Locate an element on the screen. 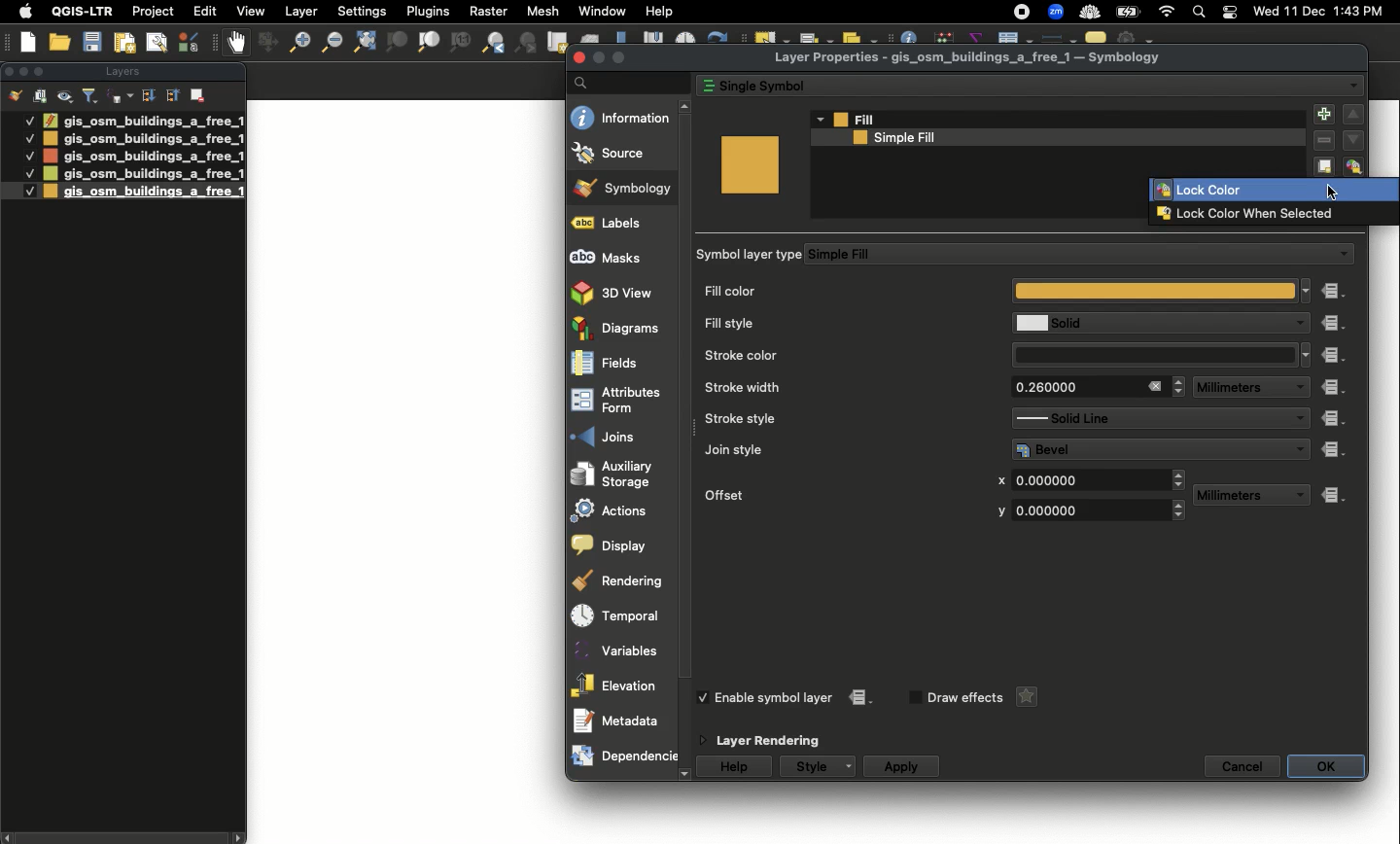 Image resolution: width=1400 pixels, height=844 pixels. Zoom last is located at coordinates (493, 43).